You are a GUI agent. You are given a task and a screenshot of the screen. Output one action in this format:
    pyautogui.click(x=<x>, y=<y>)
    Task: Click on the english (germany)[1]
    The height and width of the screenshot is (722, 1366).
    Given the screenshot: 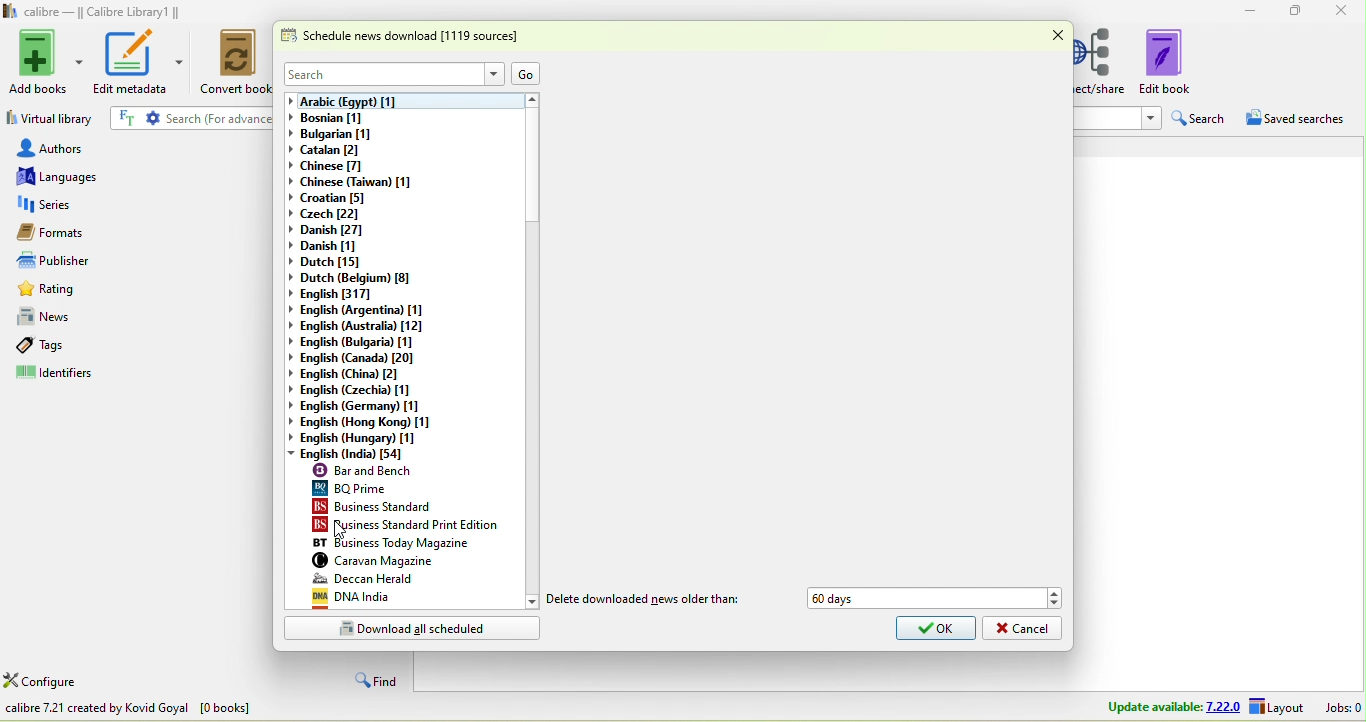 What is the action you would take?
    pyautogui.click(x=369, y=406)
    